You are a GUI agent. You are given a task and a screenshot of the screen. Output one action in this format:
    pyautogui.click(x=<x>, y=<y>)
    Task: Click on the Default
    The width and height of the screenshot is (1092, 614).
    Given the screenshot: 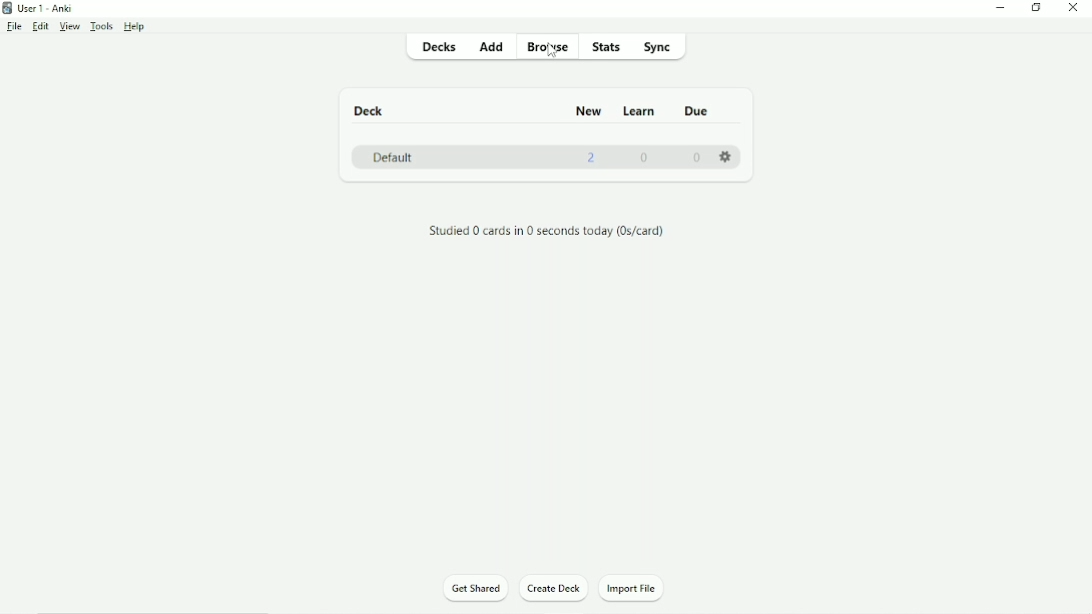 What is the action you would take?
    pyautogui.click(x=389, y=157)
    